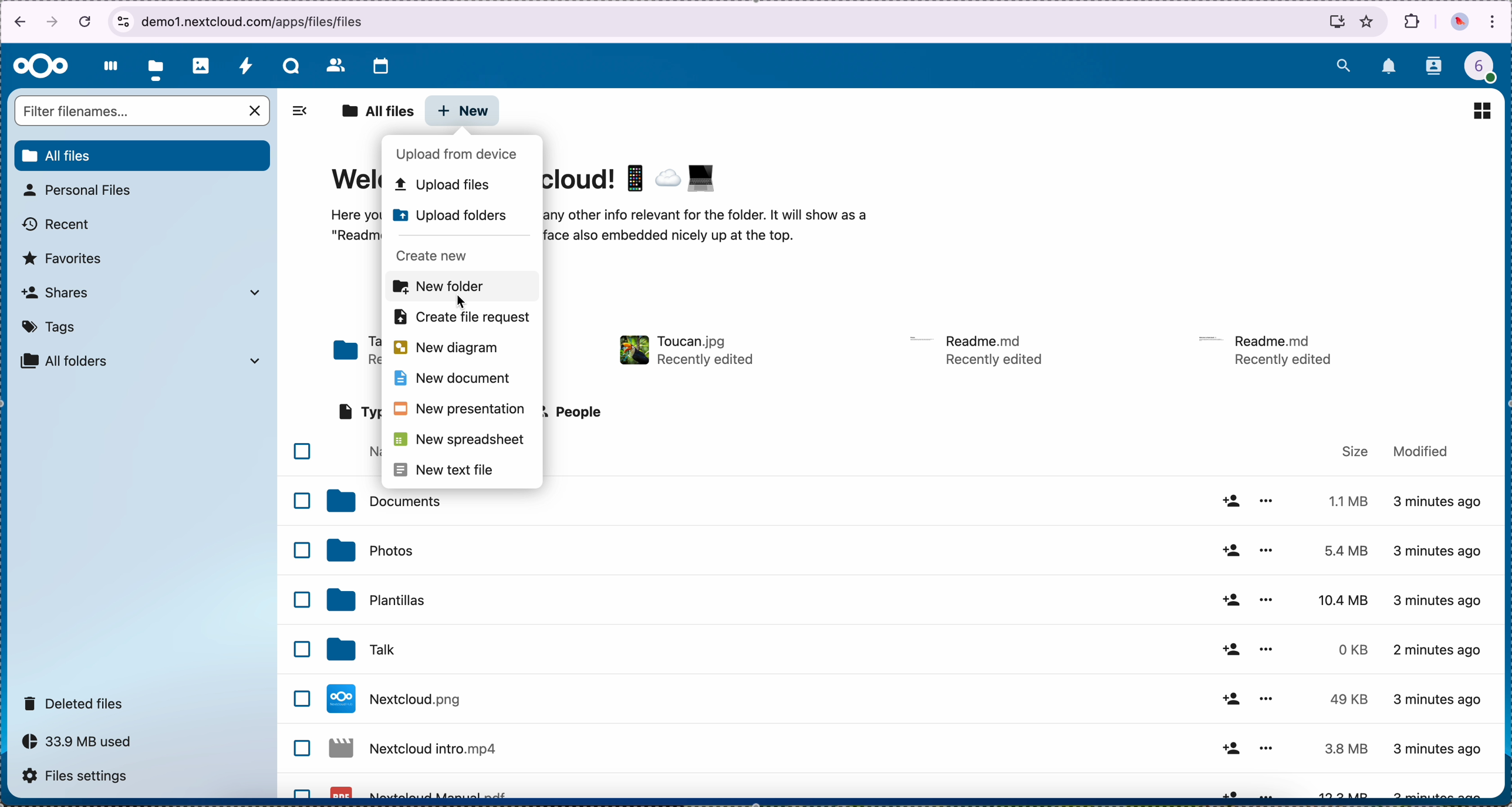 Image resolution: width=1512 pixels, height=807 pixels. Describe the element at coordinates (353, 183) in the screenshot. I see `Welcome to Nextcloud` at that location.